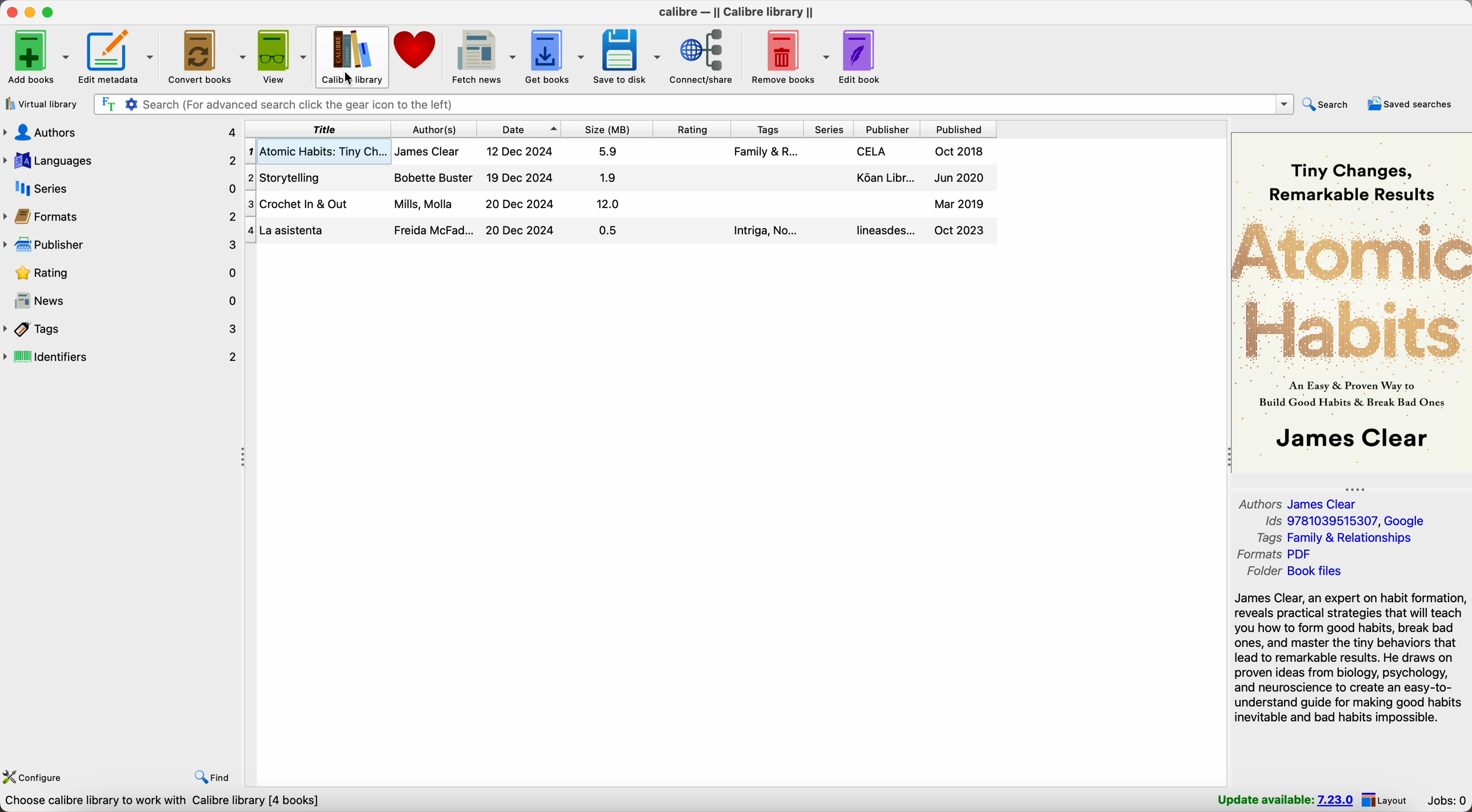 The image size is (1472, 812). Describe the element at coordinates (519, 129) in the screenshot. I see `date` at that location.